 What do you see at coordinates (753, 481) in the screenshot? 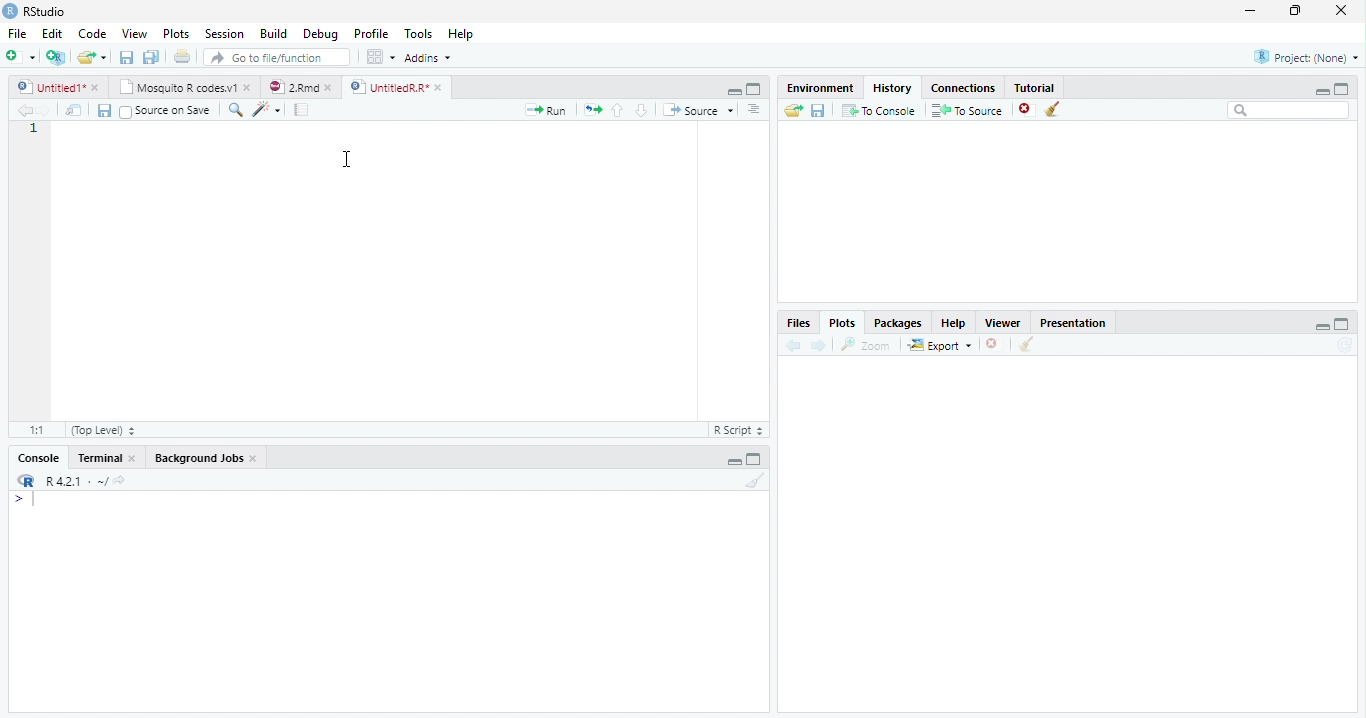
I see `Clean` at bounding box center [753, 481].